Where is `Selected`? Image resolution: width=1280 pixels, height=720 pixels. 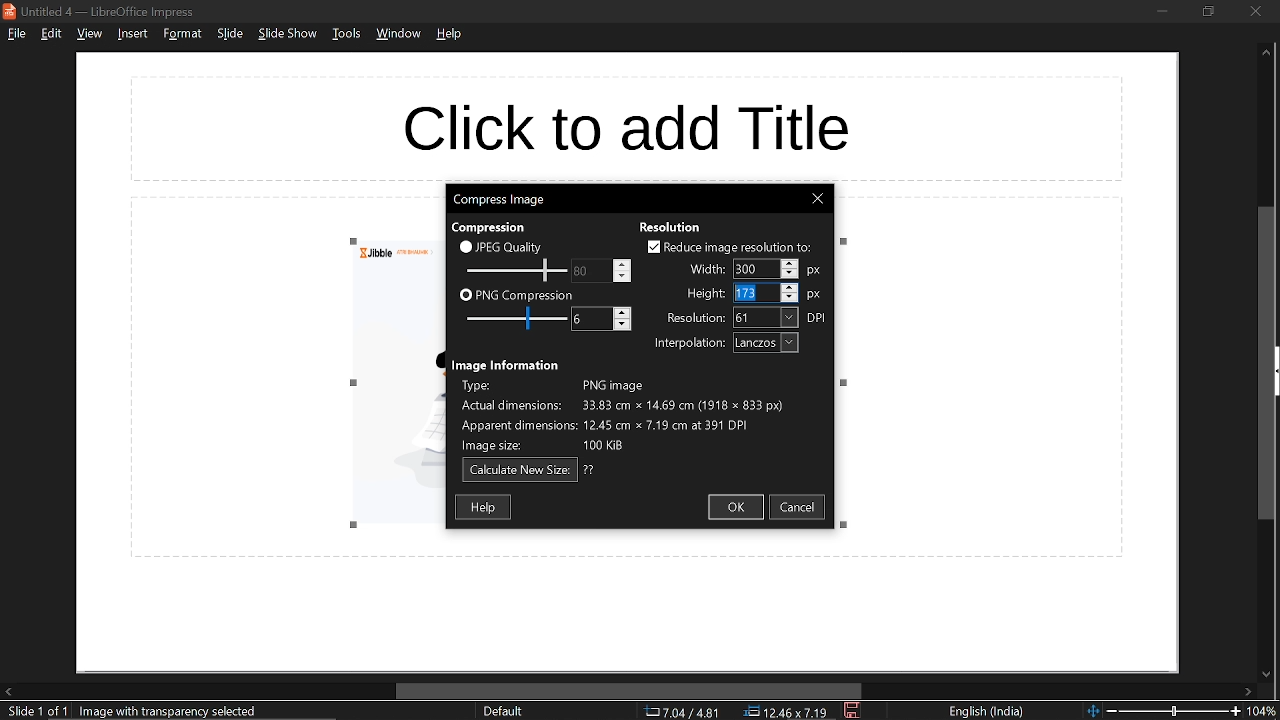 Selected is located at coordinates (749, 269).